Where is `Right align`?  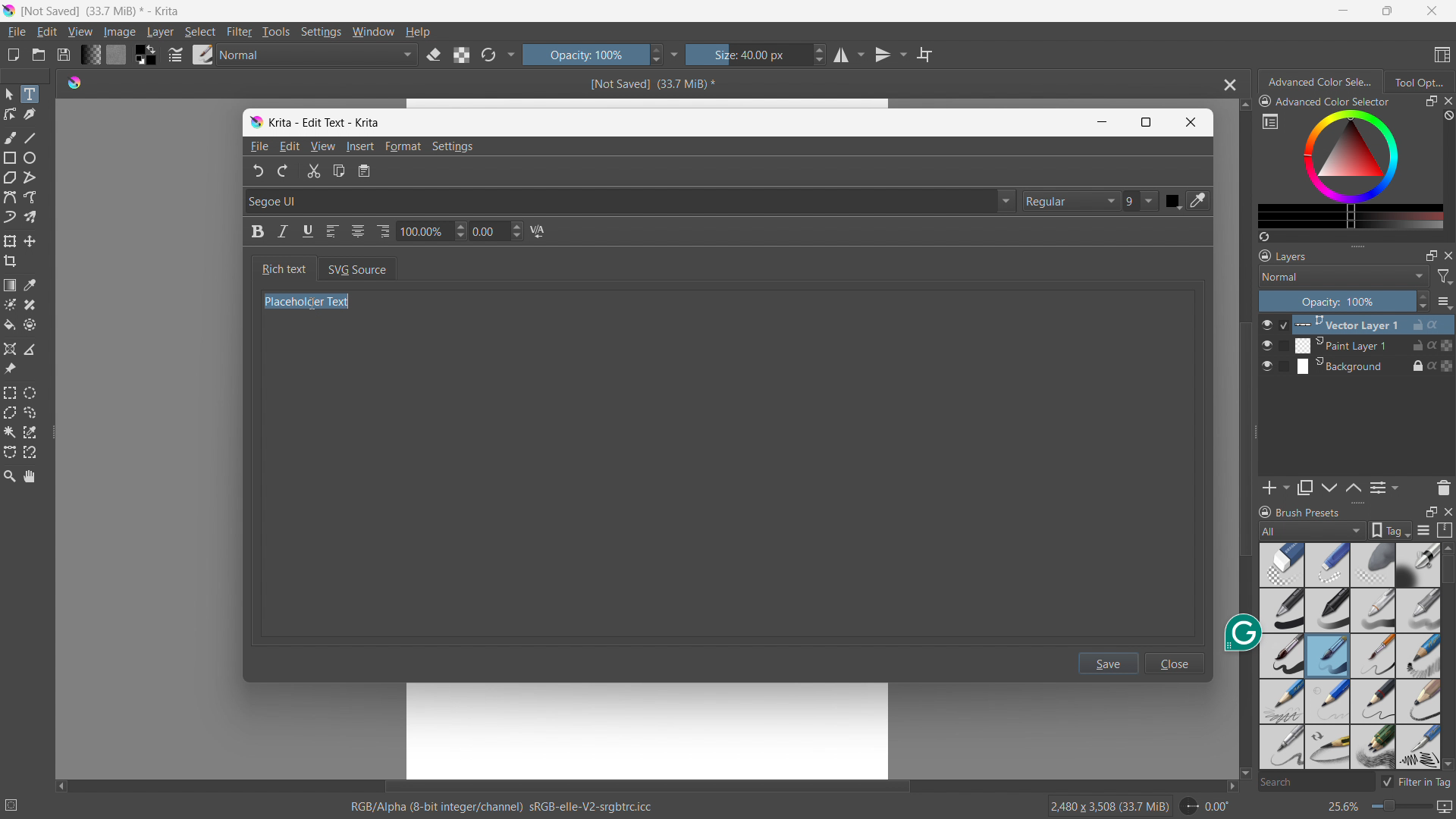 Right align is located at coordinates (384, 228).